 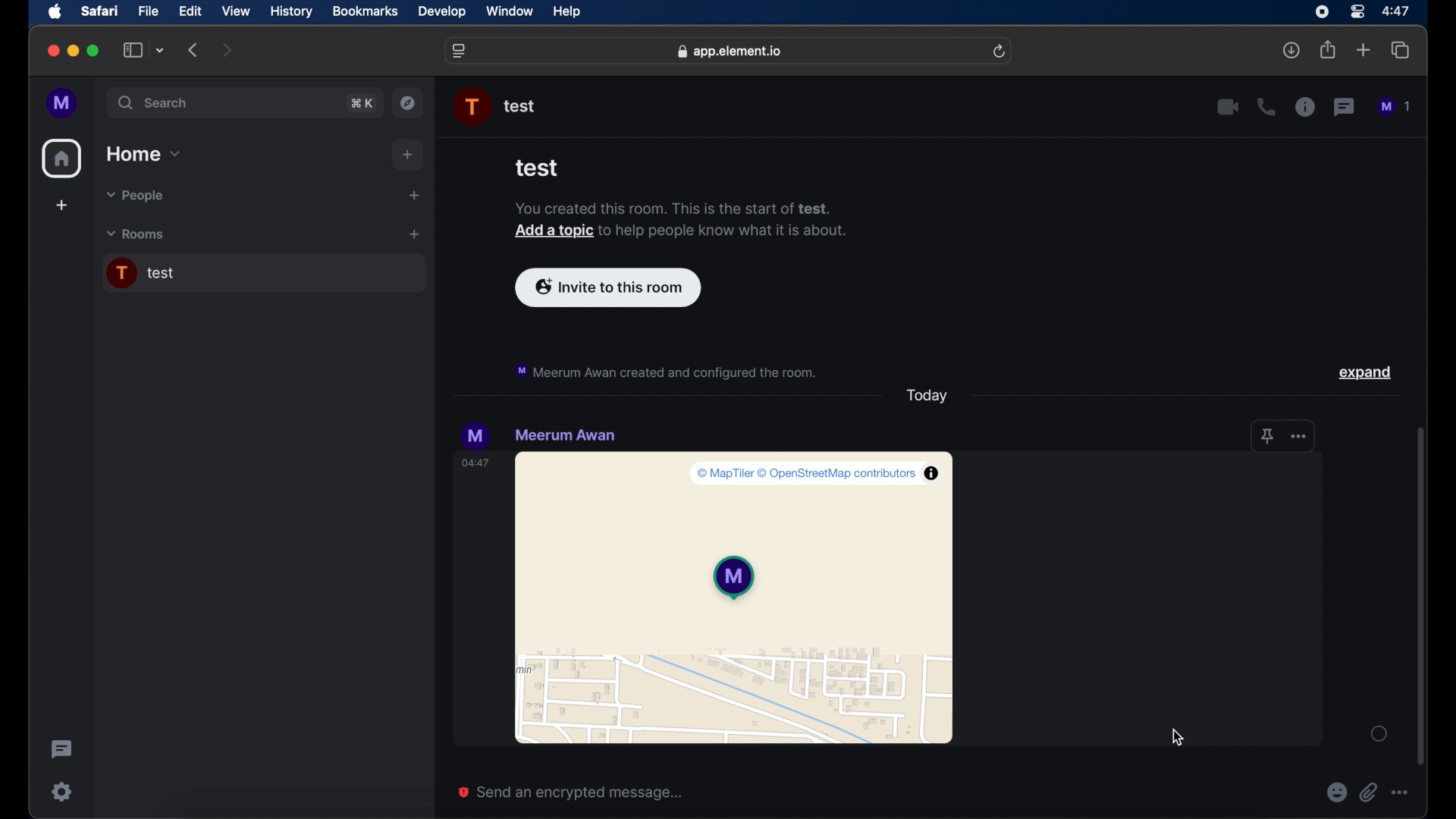 I want to click on You created this room. This is the start of test.
[Add a topic to help people know what it is about., so click(x=670, y=222).